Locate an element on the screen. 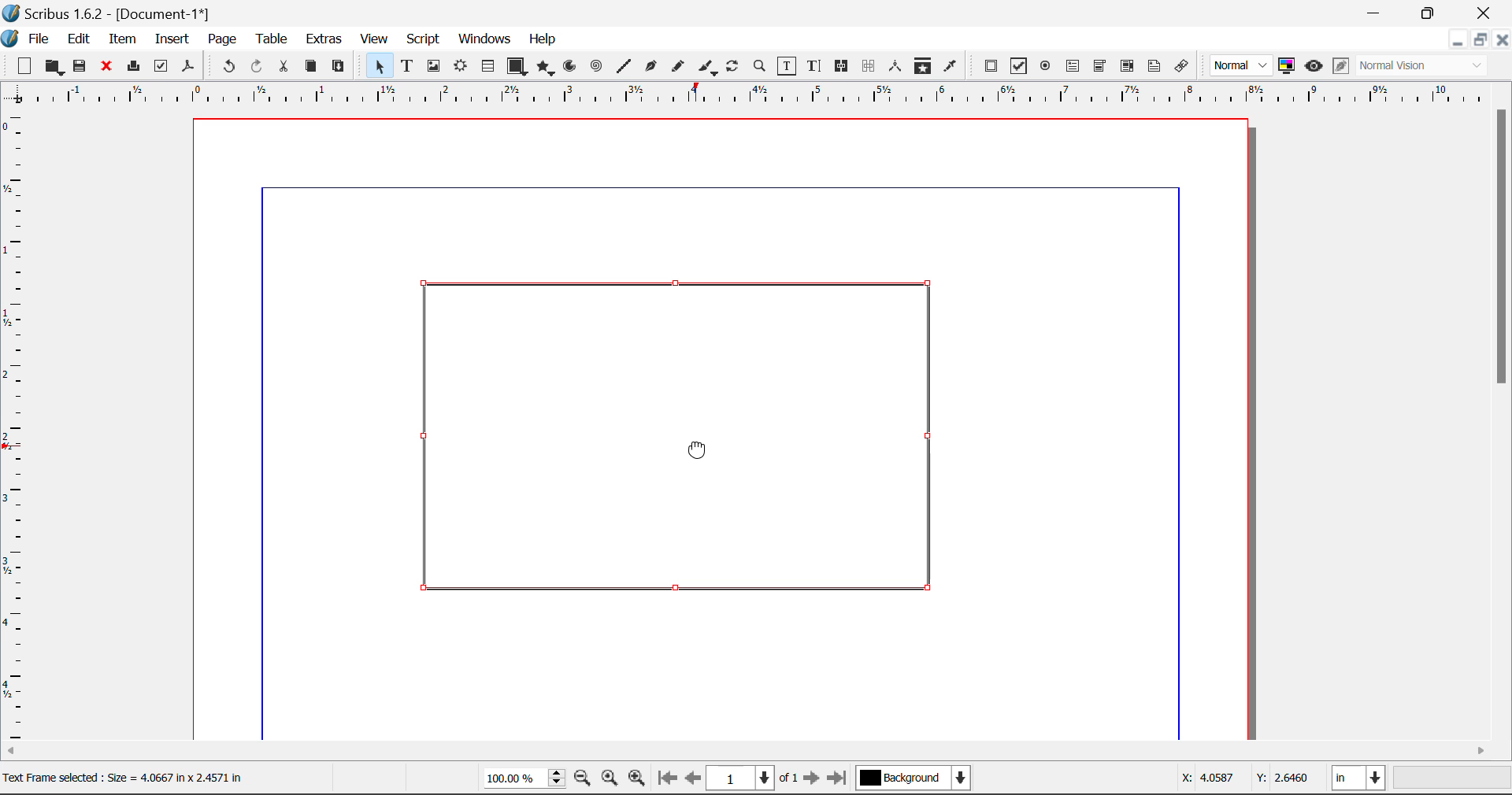 The image size is (1512, 795). Scroll Bar is located at coordinates (757, 752).